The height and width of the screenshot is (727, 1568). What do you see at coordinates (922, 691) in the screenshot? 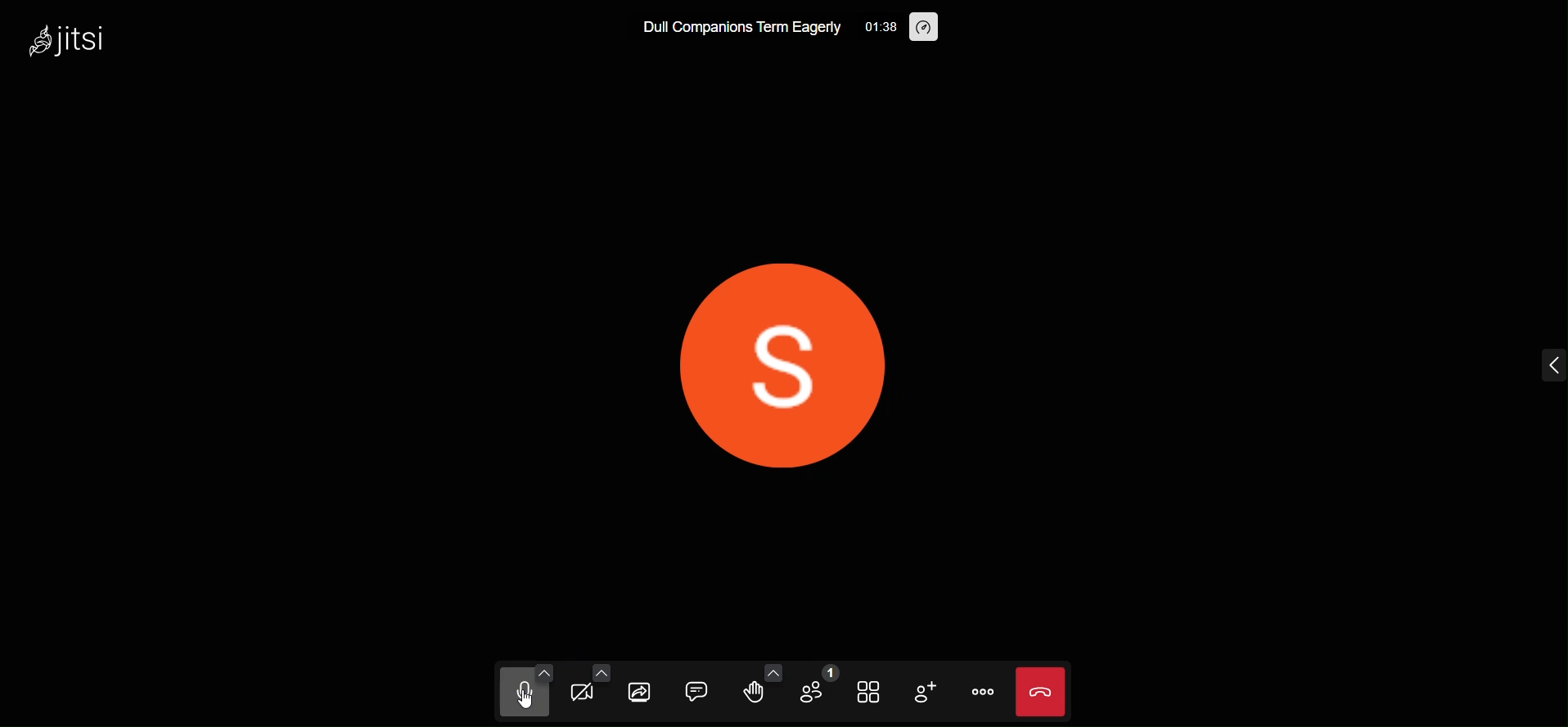
I see `invite people` at bounding box center [922, 691].